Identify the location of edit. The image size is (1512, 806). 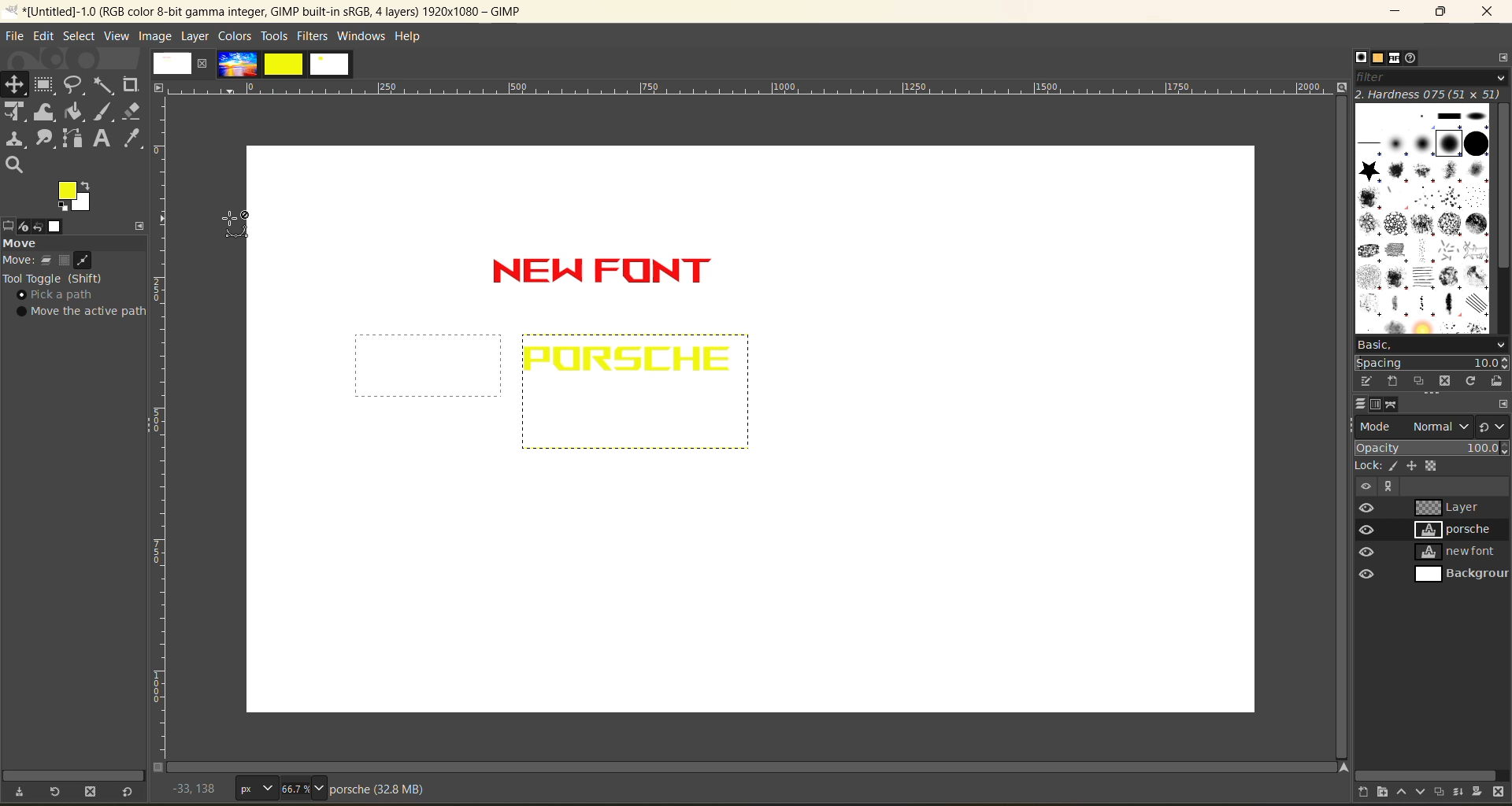
(46, 37).